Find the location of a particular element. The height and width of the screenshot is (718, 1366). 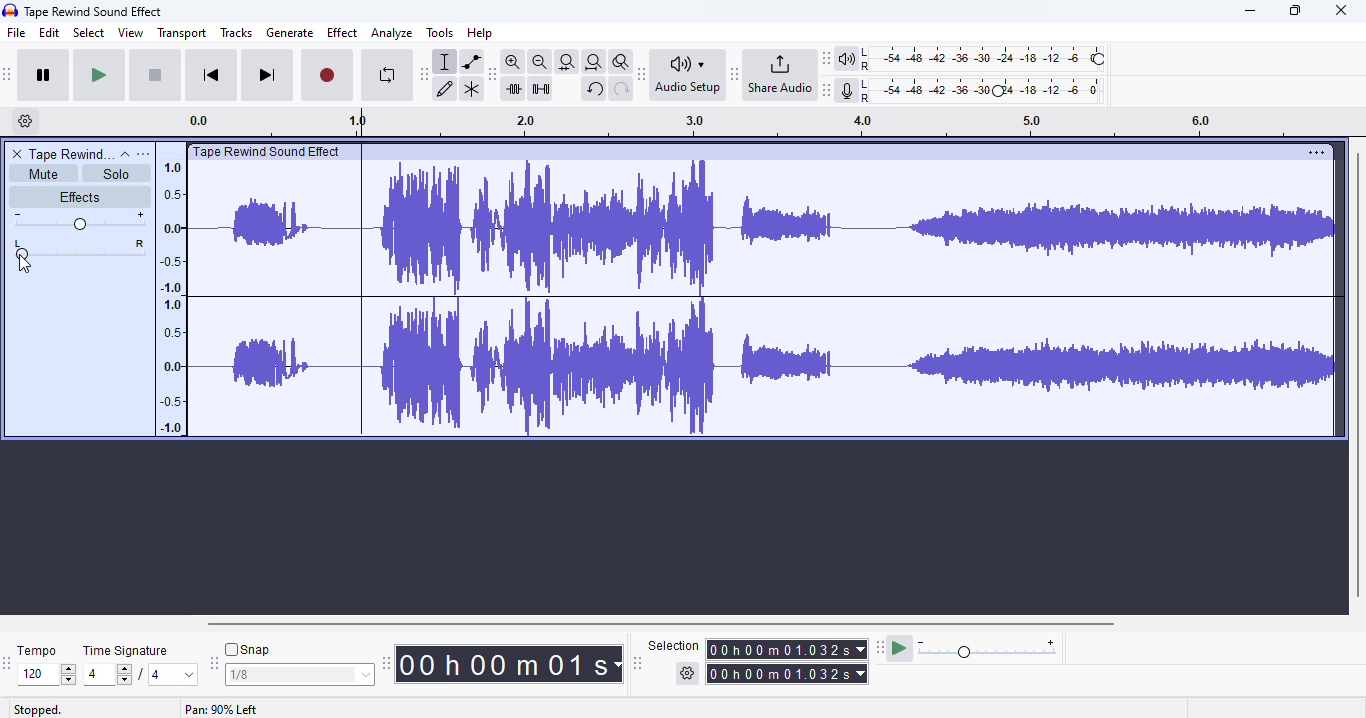

collapse is located at coordinates (126, 155).